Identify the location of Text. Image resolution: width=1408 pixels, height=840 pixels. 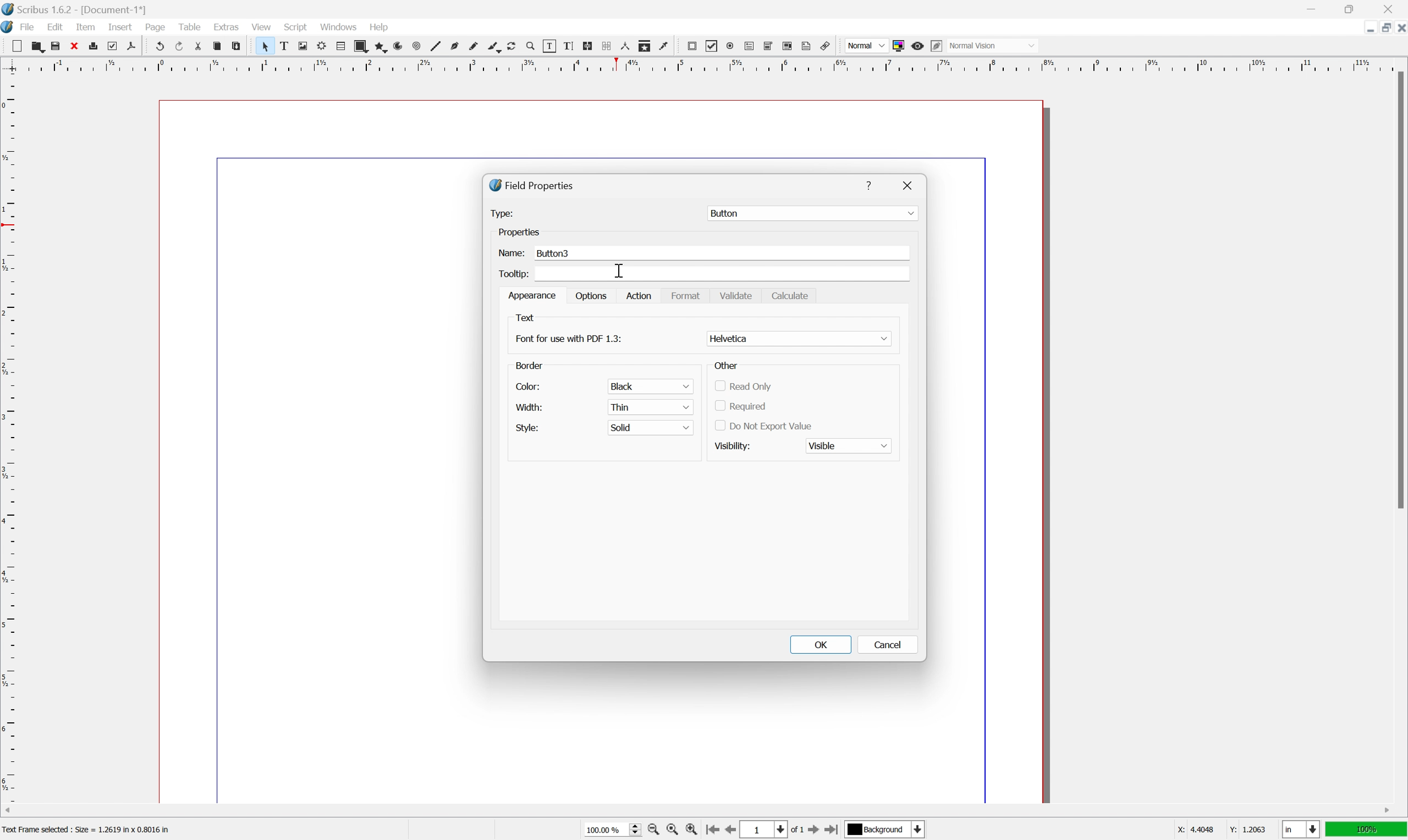
(525, 318).